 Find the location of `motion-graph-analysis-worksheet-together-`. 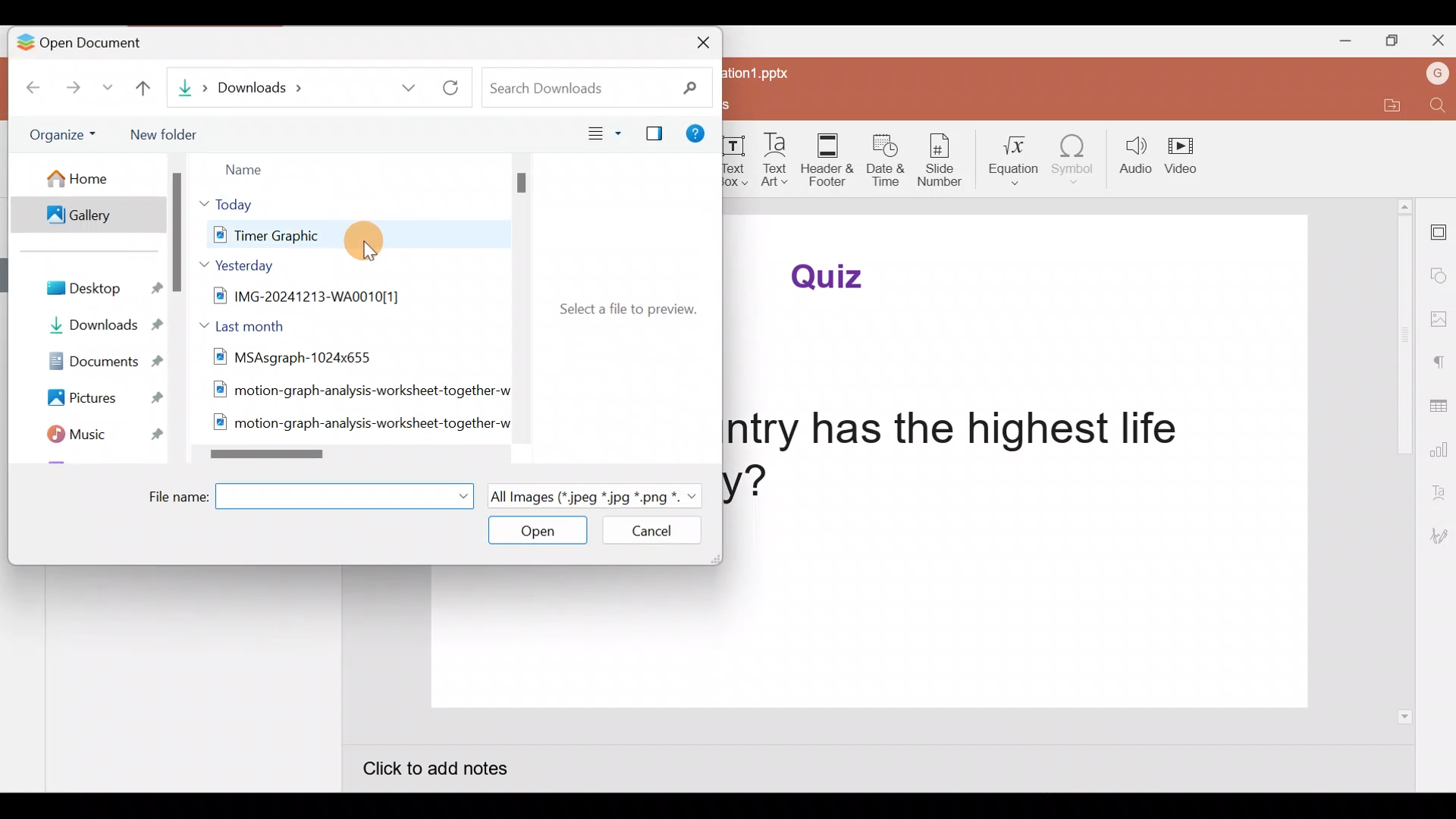

motion-graph-analysis-worksheet-together- is located at coordinates (357, 425).